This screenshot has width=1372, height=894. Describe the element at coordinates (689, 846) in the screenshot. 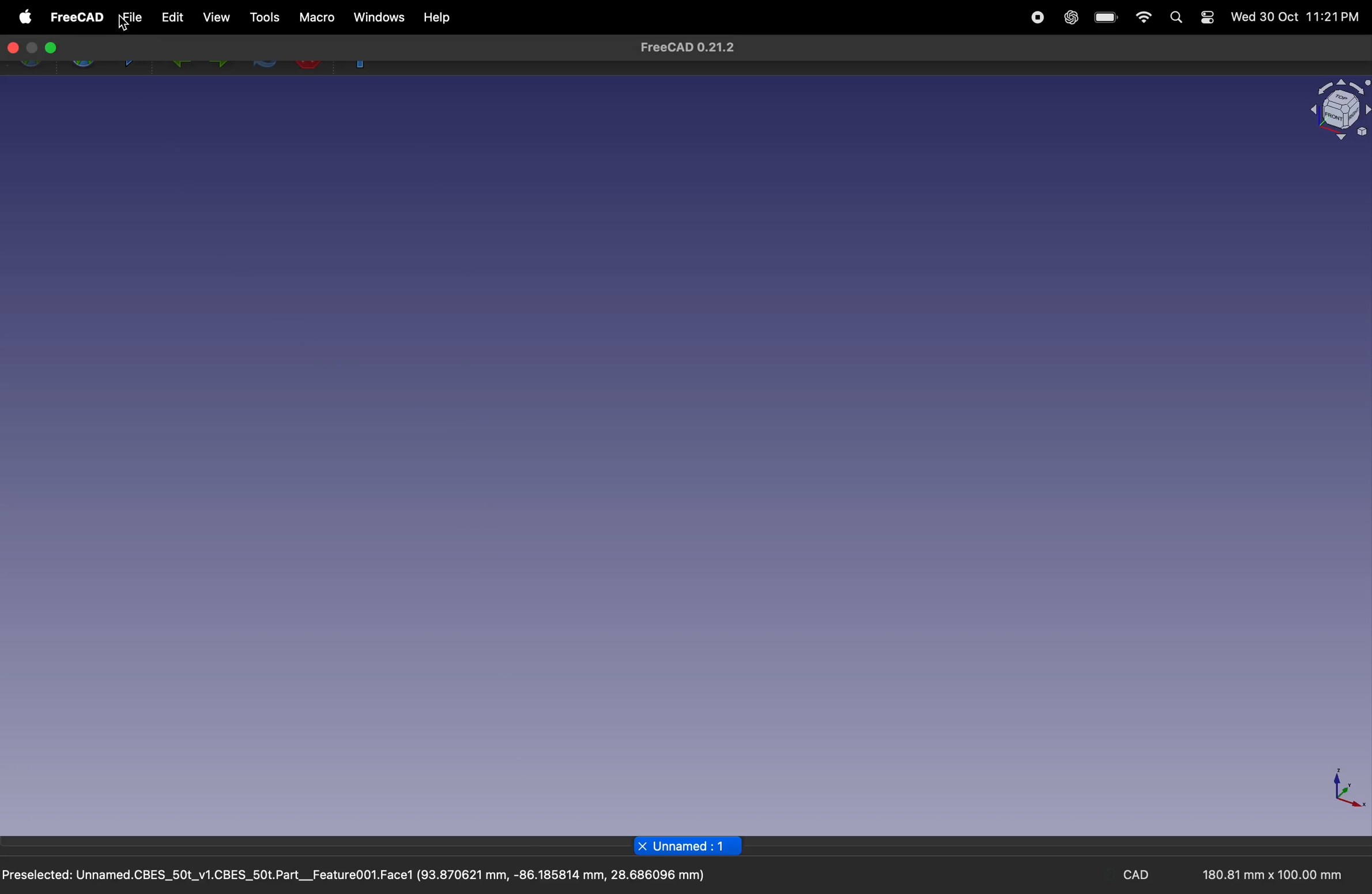

I see `page title` at that location.